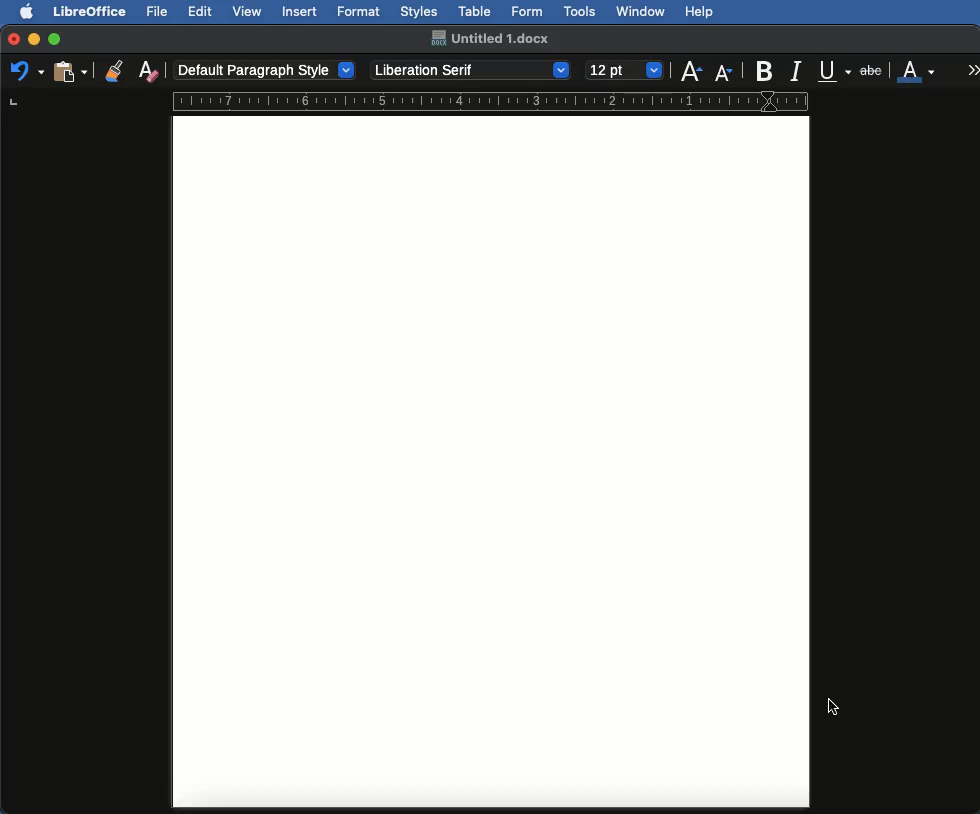 The image size is (980, 814). I want to click on Undo, so click(26, 70).